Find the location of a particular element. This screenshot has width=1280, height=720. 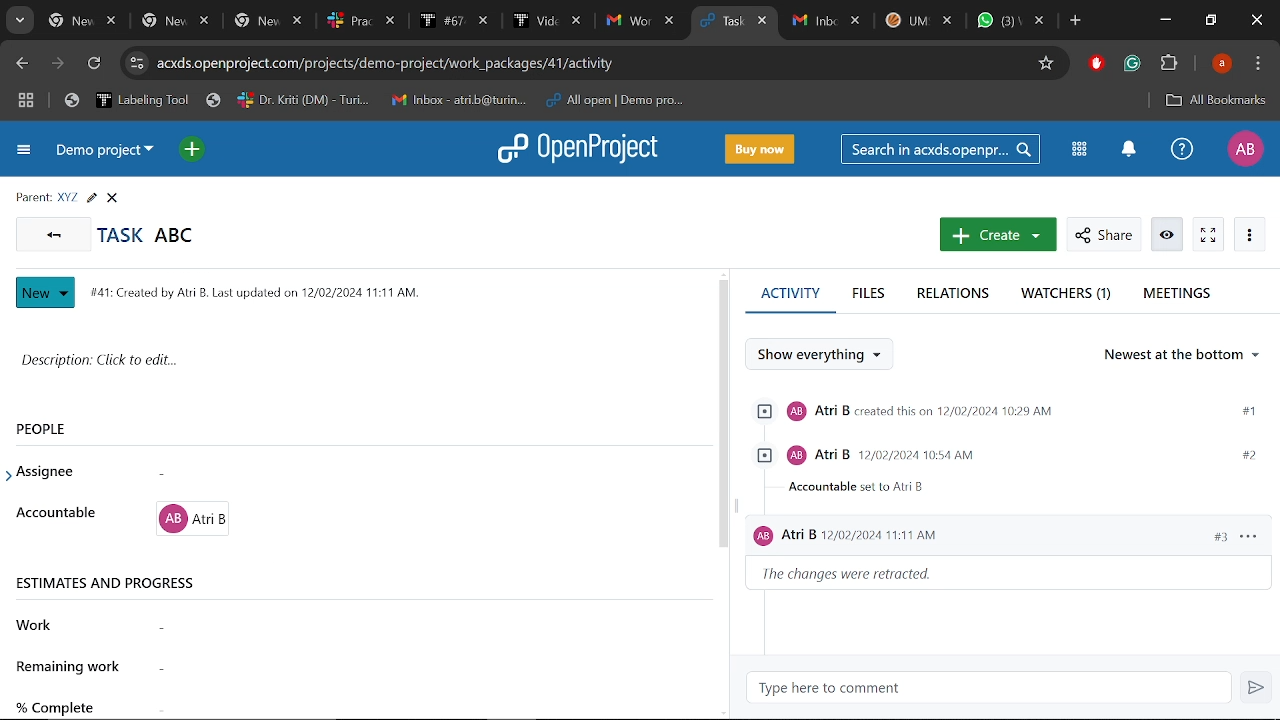

Space for adding description is located at coordinates (350, 366).